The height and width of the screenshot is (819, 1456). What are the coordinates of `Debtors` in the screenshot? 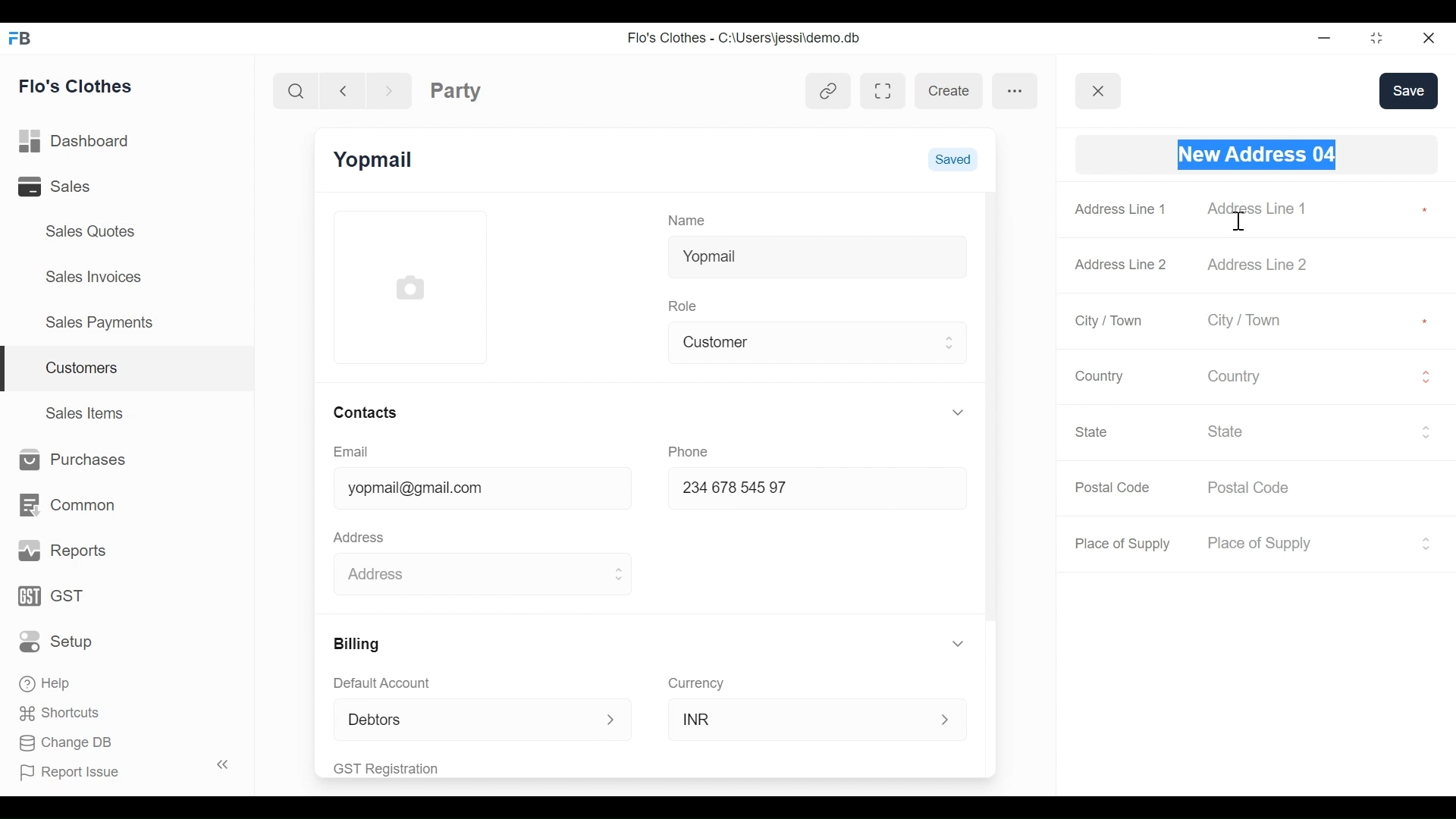 It's located at (458, 719).